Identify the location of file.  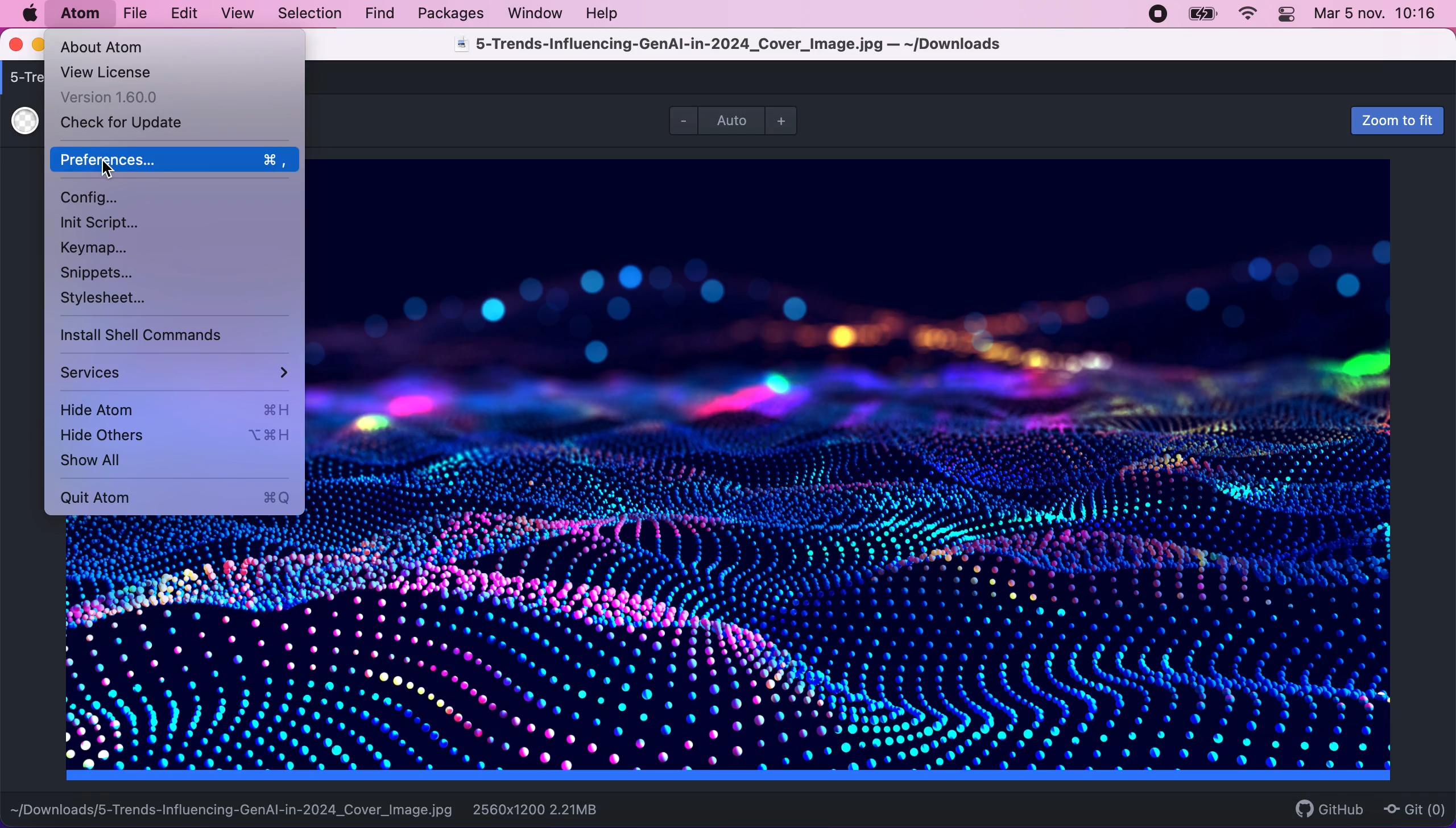
(134, 14).